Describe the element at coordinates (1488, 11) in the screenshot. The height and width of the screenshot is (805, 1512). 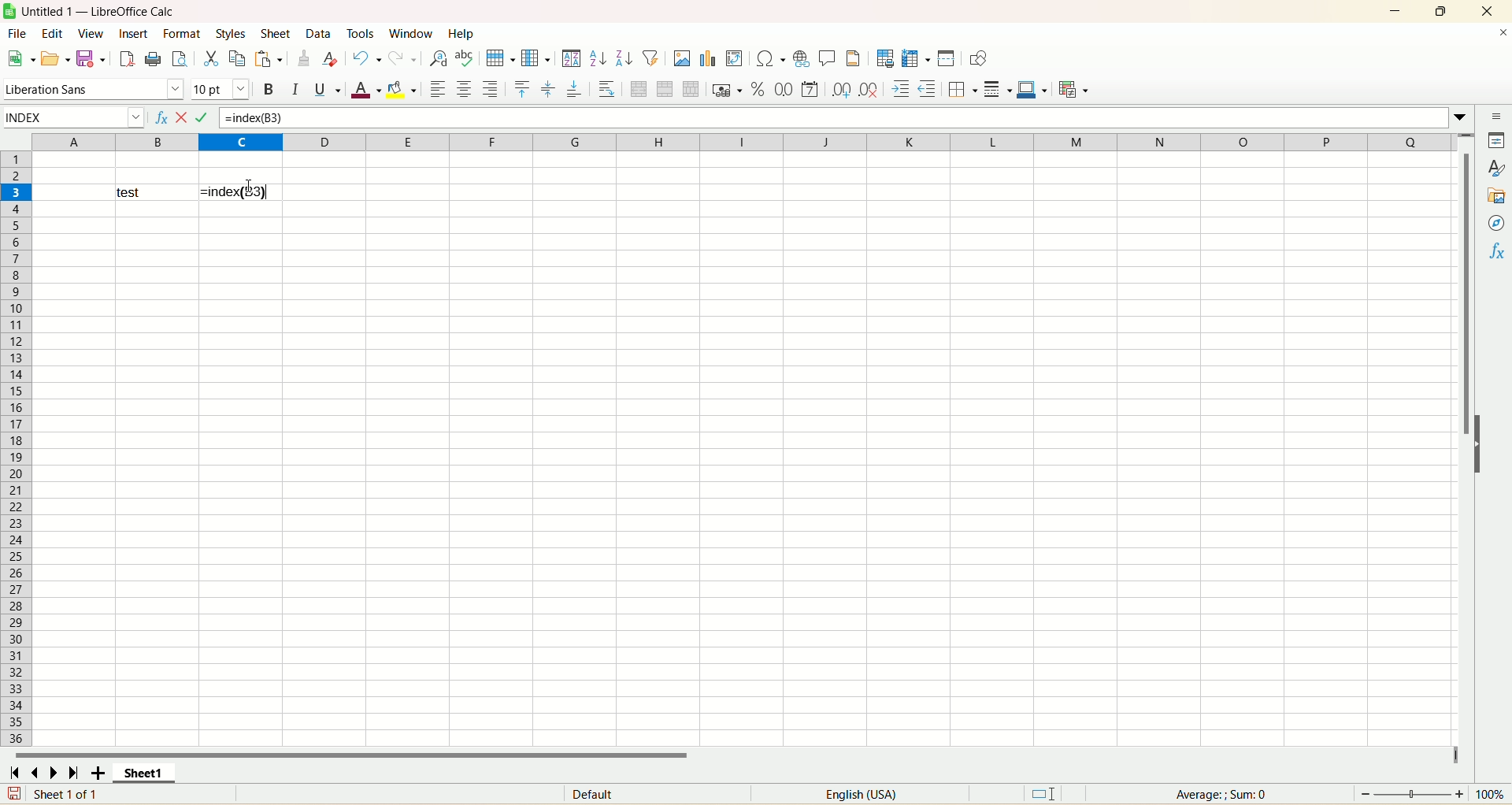
I see `close` at that location.